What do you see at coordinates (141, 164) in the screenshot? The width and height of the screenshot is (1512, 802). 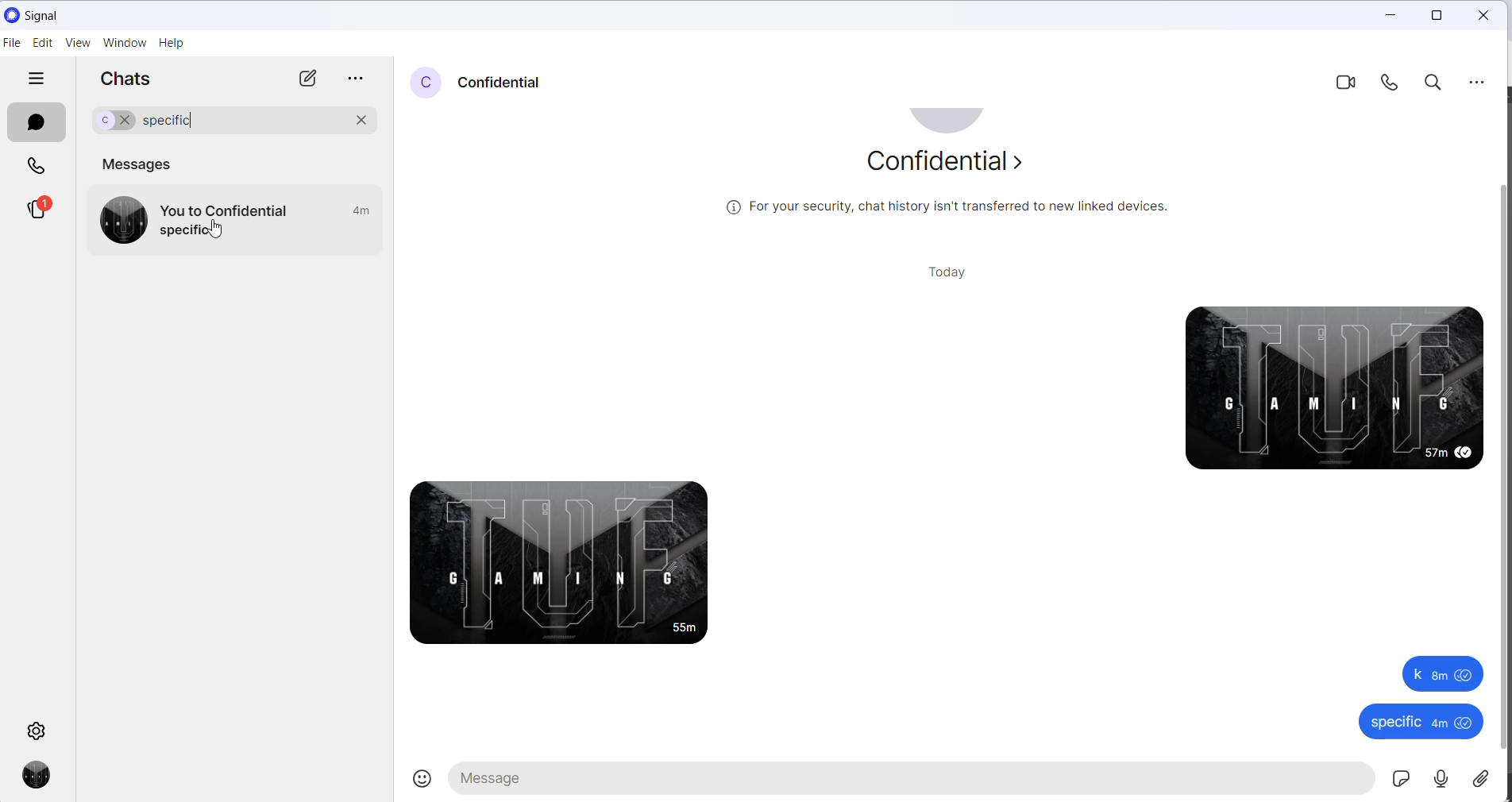 I see `messages heading` at bounding box center [141, 164].